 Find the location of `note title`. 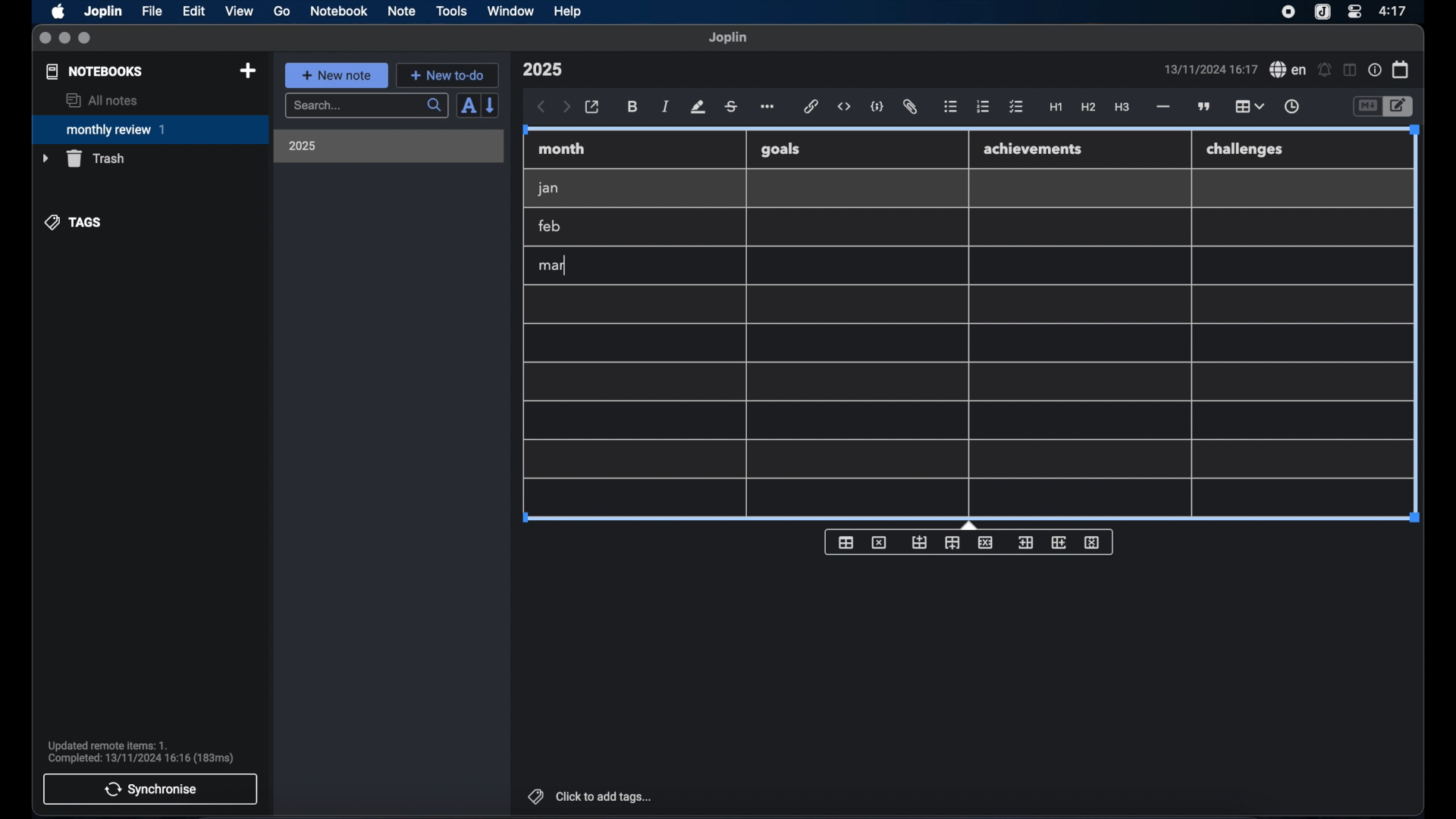

note title is located at coordinates (542, 70).